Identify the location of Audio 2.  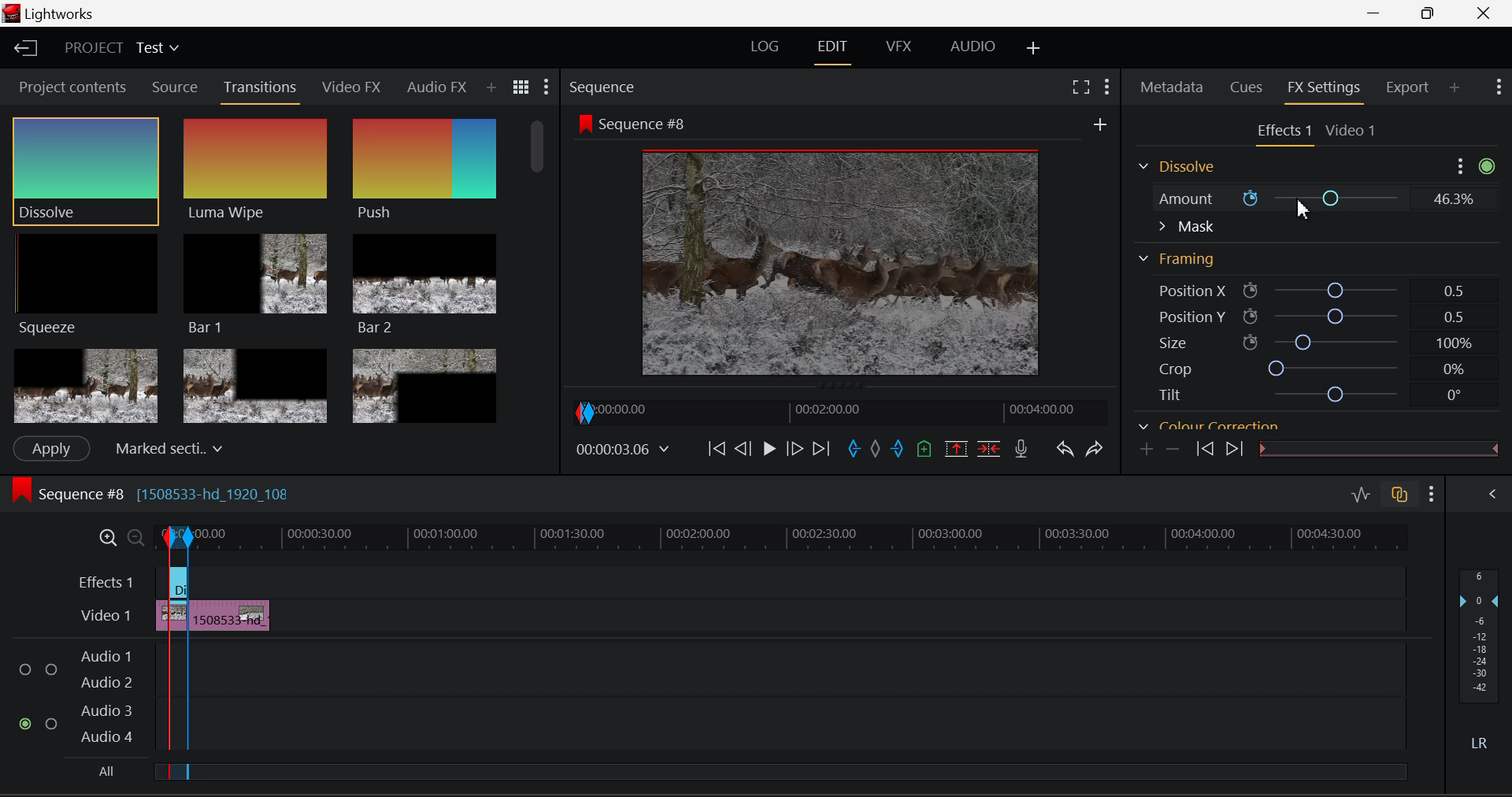
(106, 679).